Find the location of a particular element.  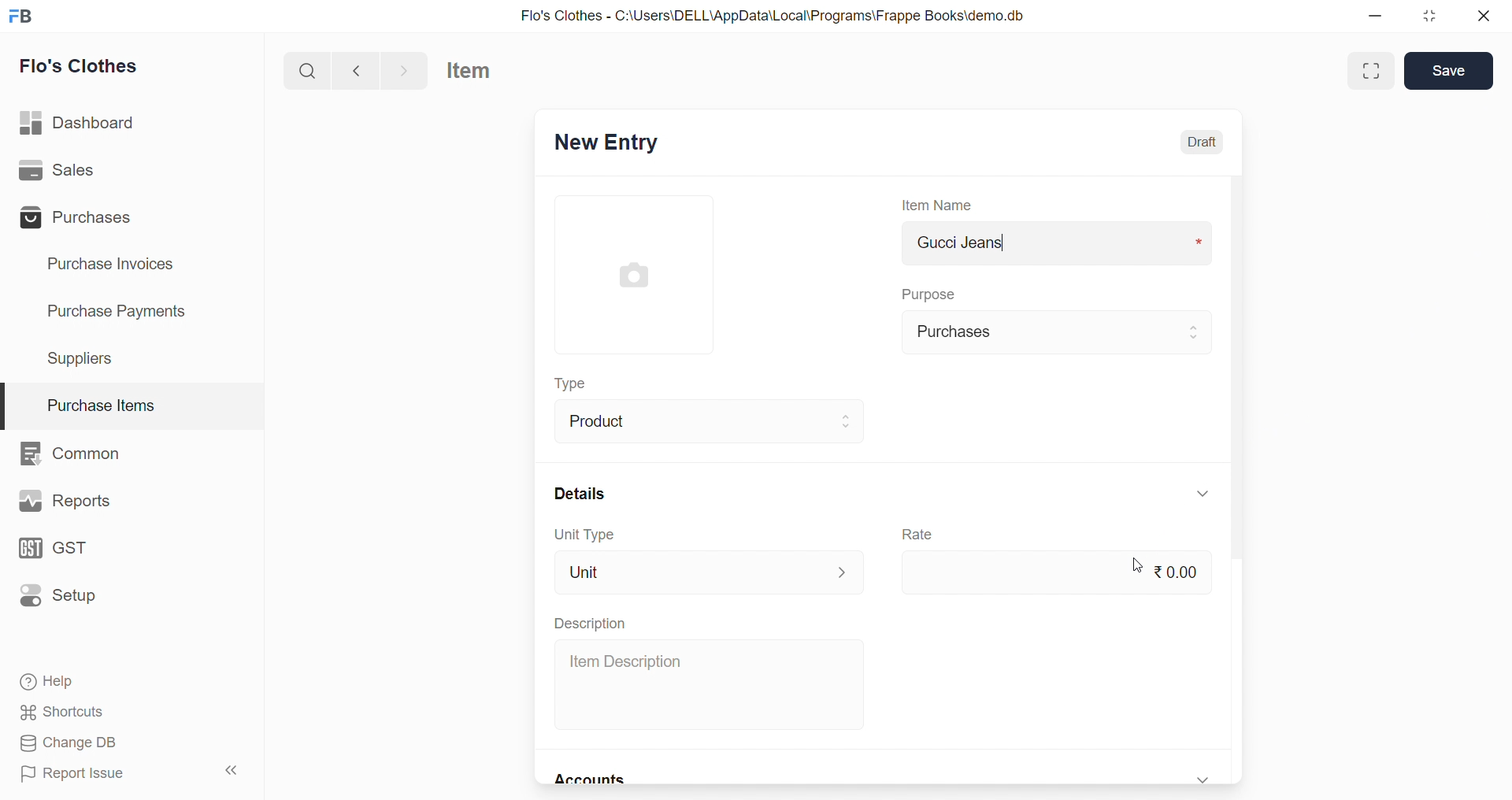

Report Issue is located at coordinates (98, 772).